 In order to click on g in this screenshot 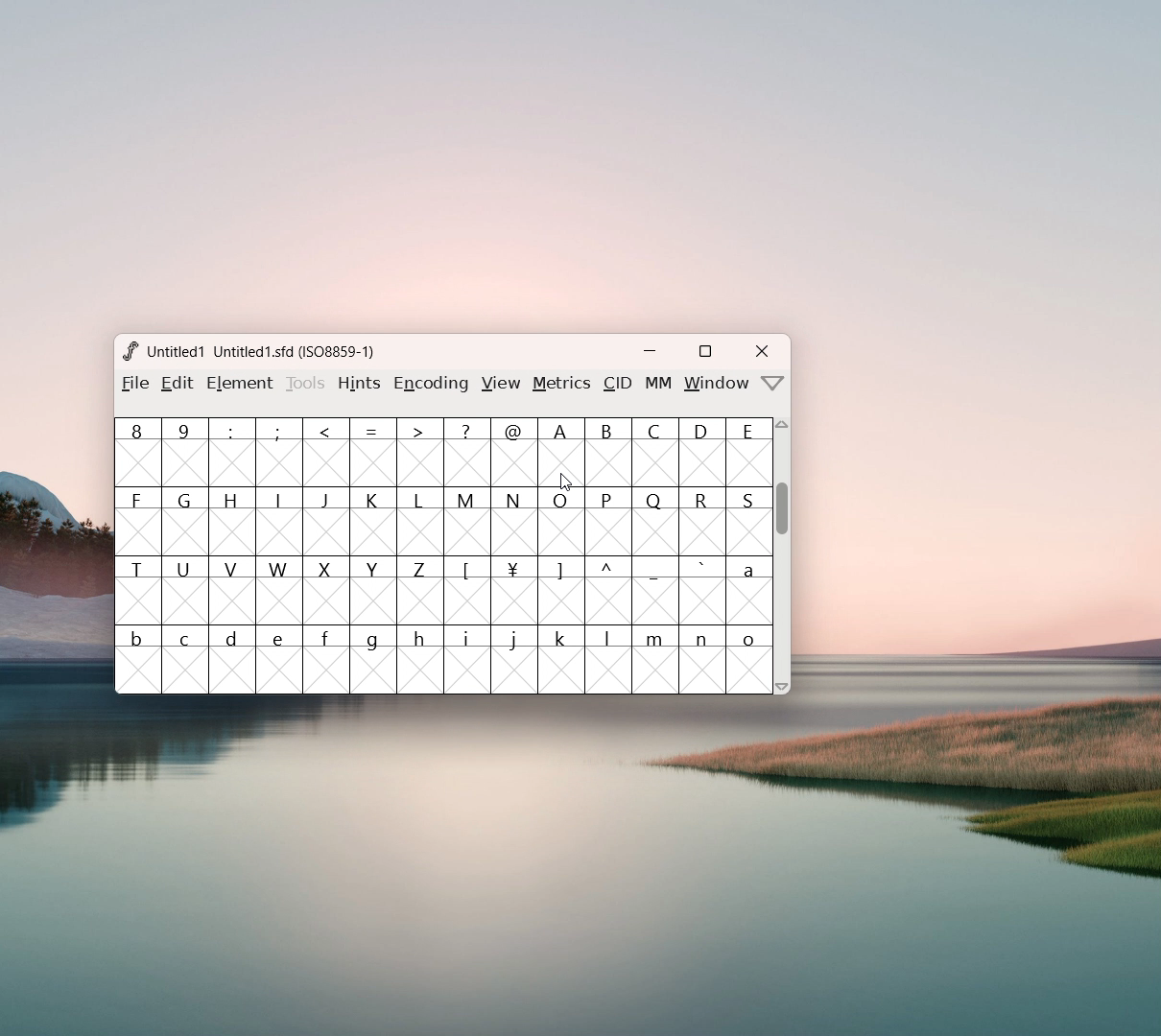, I will do `click(375, 660)`.